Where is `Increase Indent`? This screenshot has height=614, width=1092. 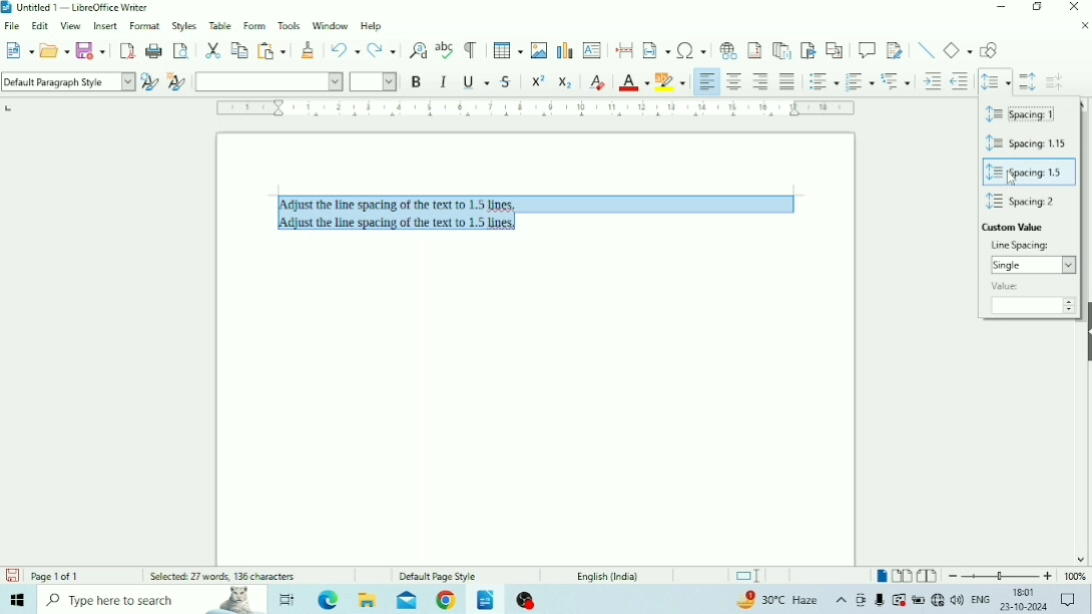
Increase Indent is located at coordinates (933, 82).